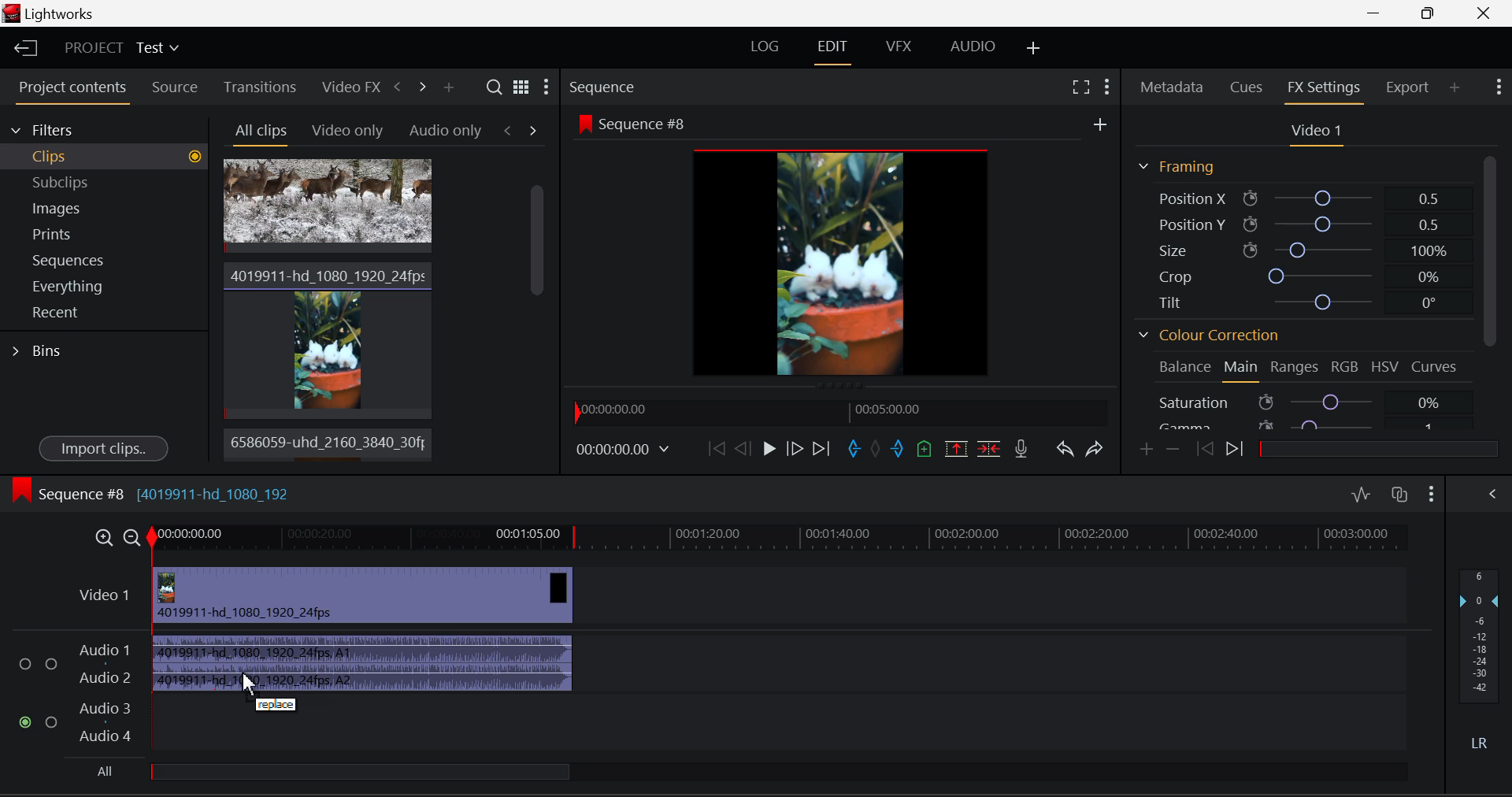 This screenshot has height=797, width=1512. What do you see at coordinates (1177, 166) in the screenshot?
I see `Framing` at bounding box center [1177, 166].